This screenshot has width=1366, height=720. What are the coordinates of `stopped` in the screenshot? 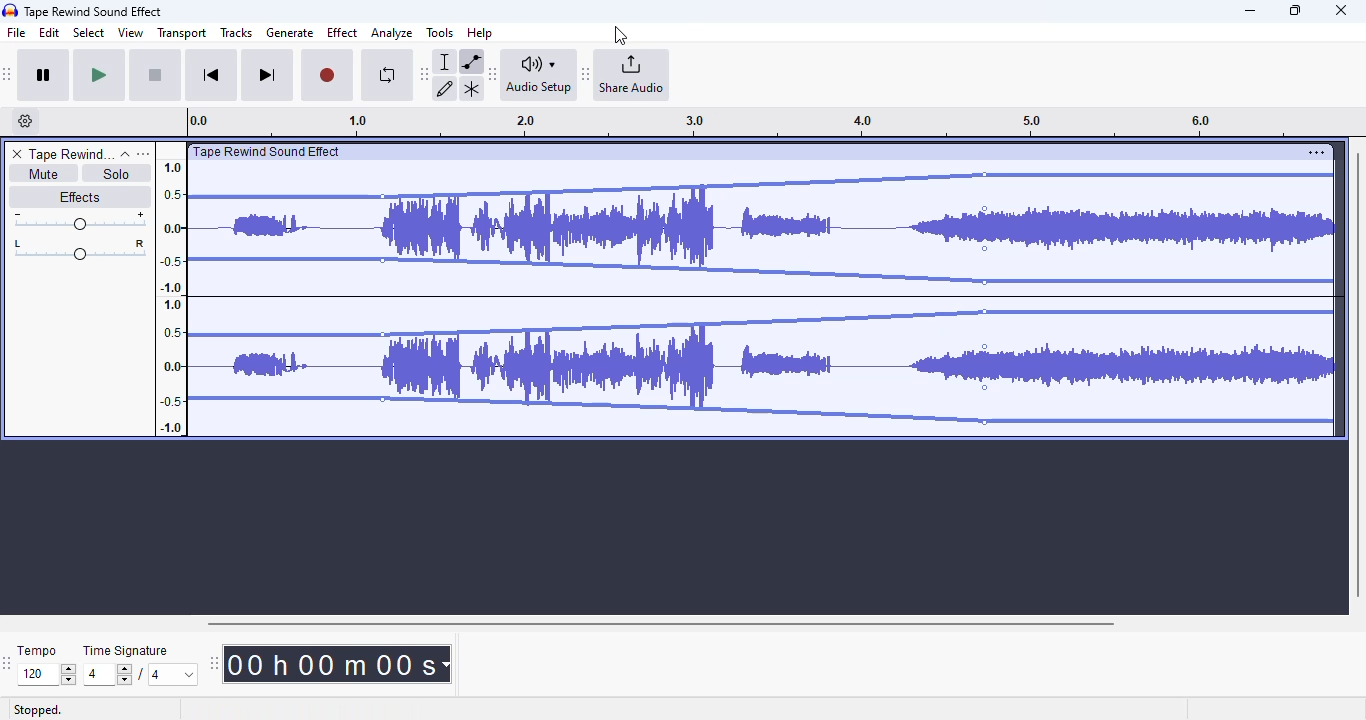 It's located at (38, 711).